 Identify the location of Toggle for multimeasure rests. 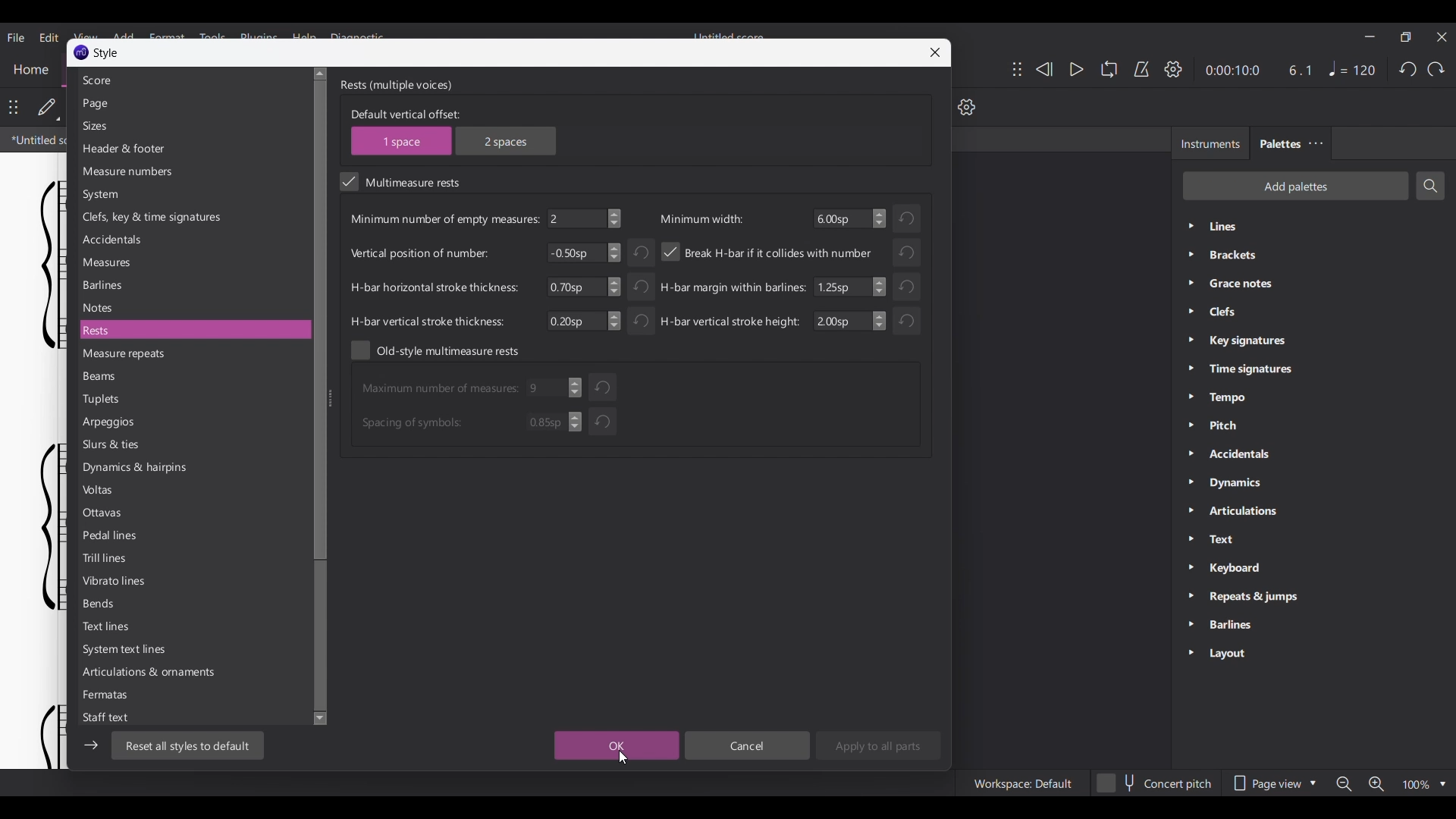
(399, 181).